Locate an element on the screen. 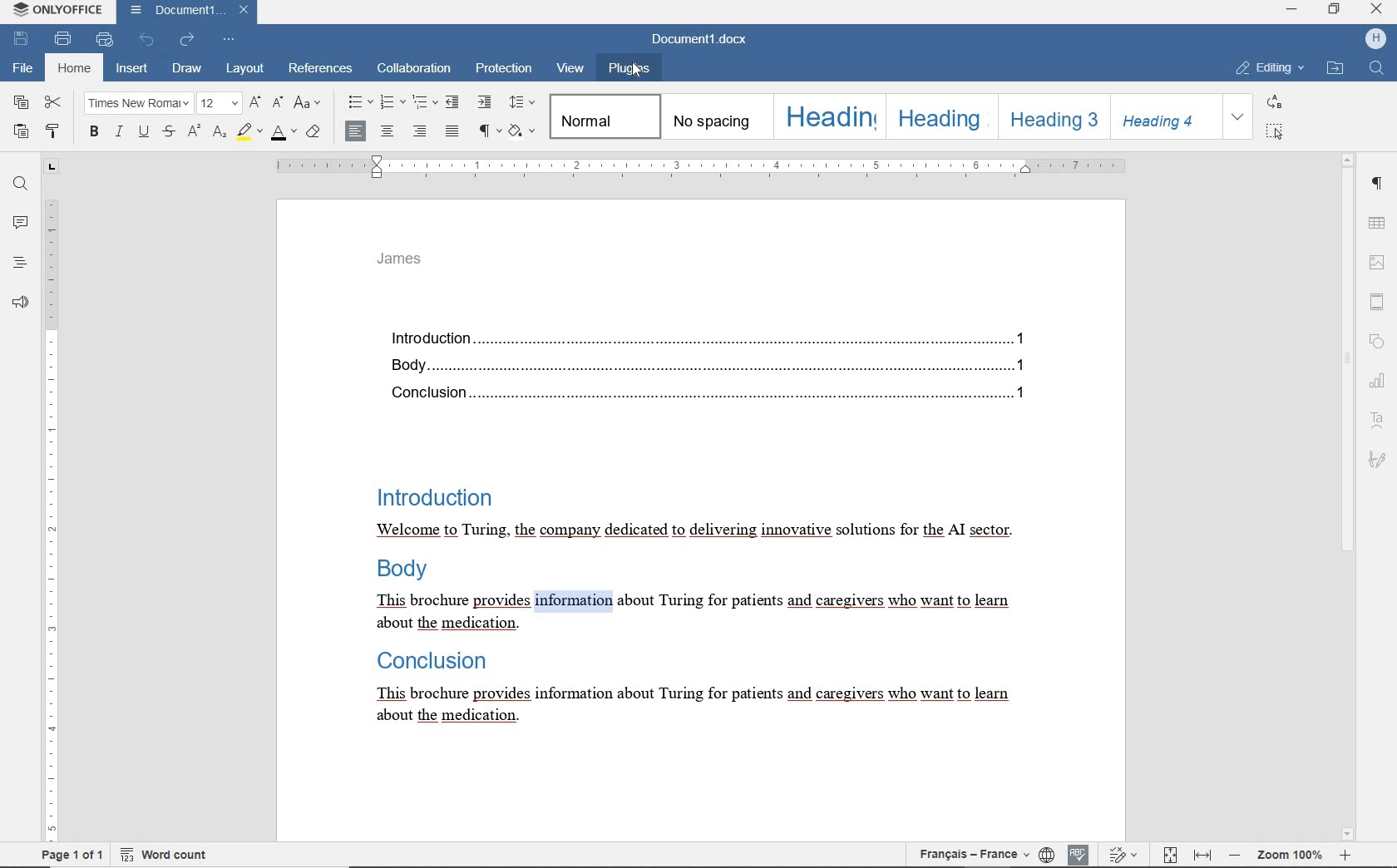  PRINT is located at coordinates (63, 38).